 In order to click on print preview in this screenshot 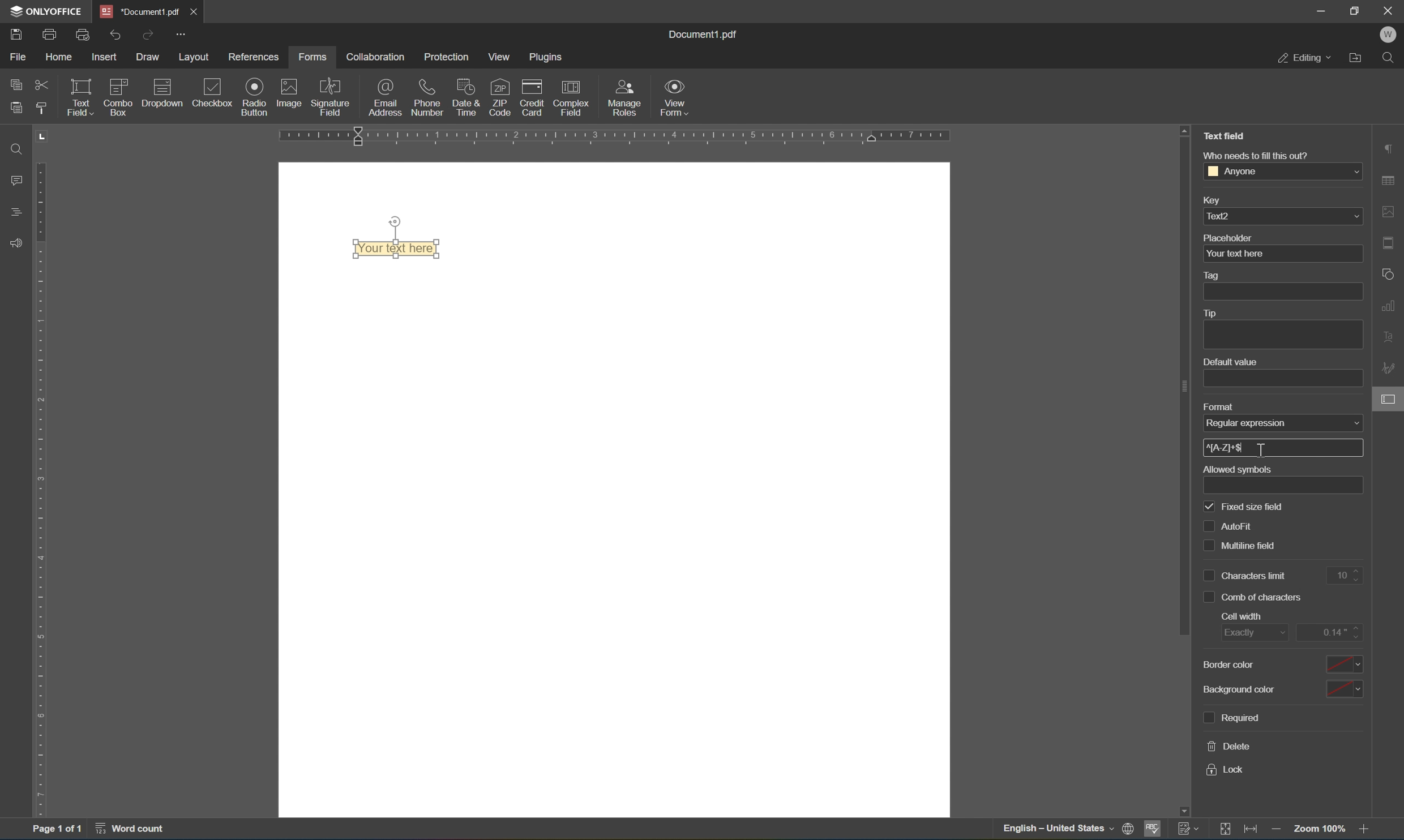, I will do `click(82, 33)`.